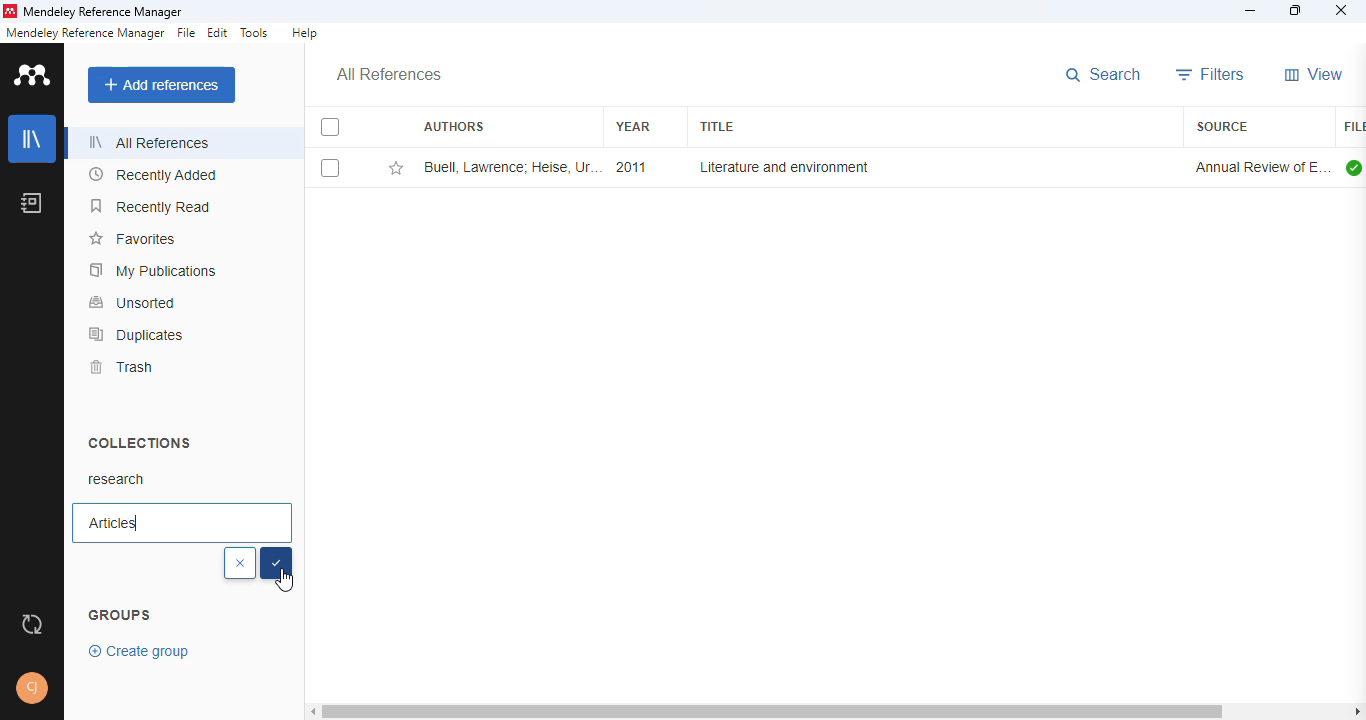  What do you see at coordinates (31, 625) in the screenshot?
I see `sync` at bounding box center [31, 625].